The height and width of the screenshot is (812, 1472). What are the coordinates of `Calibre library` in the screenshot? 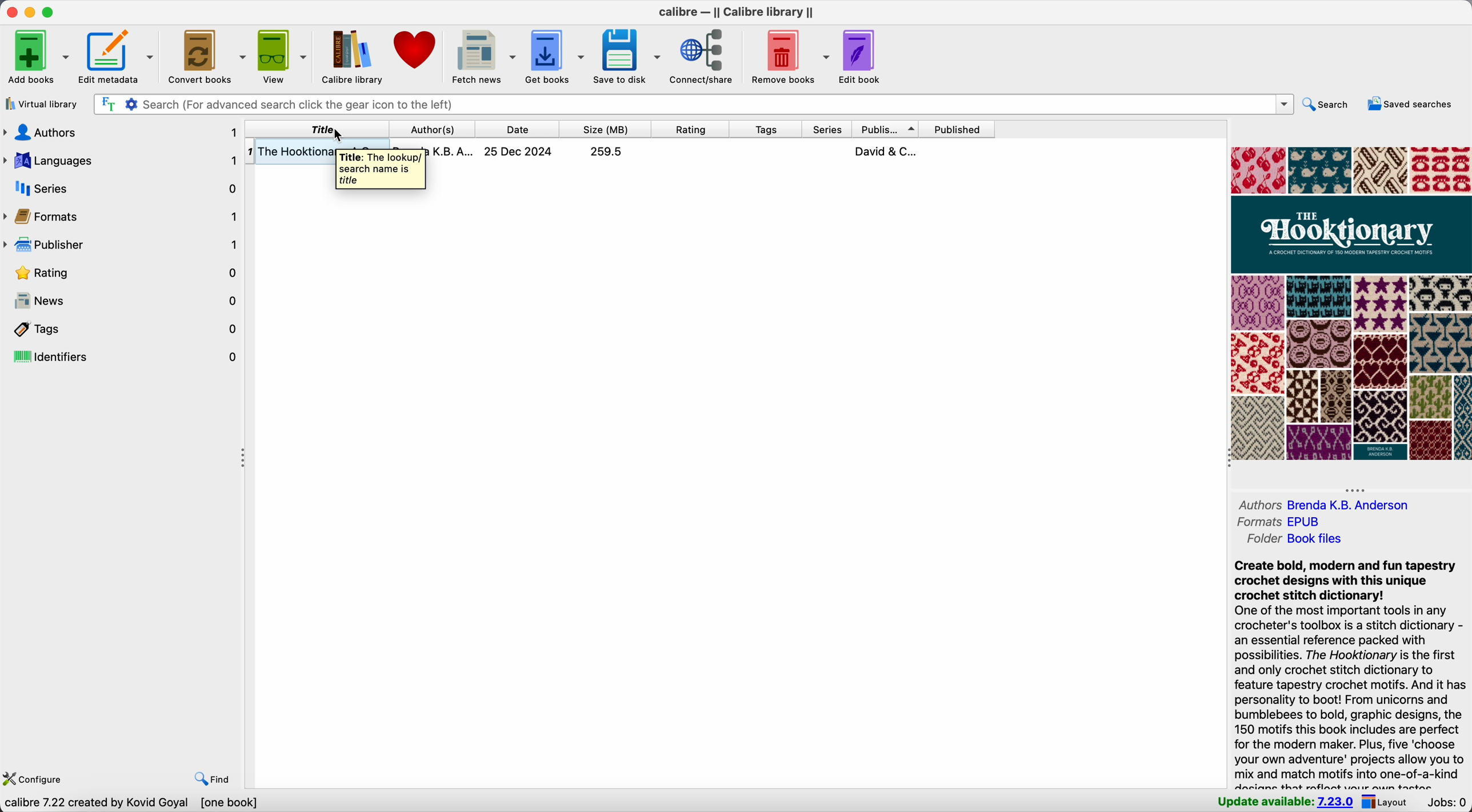 It's located at (350, 55).